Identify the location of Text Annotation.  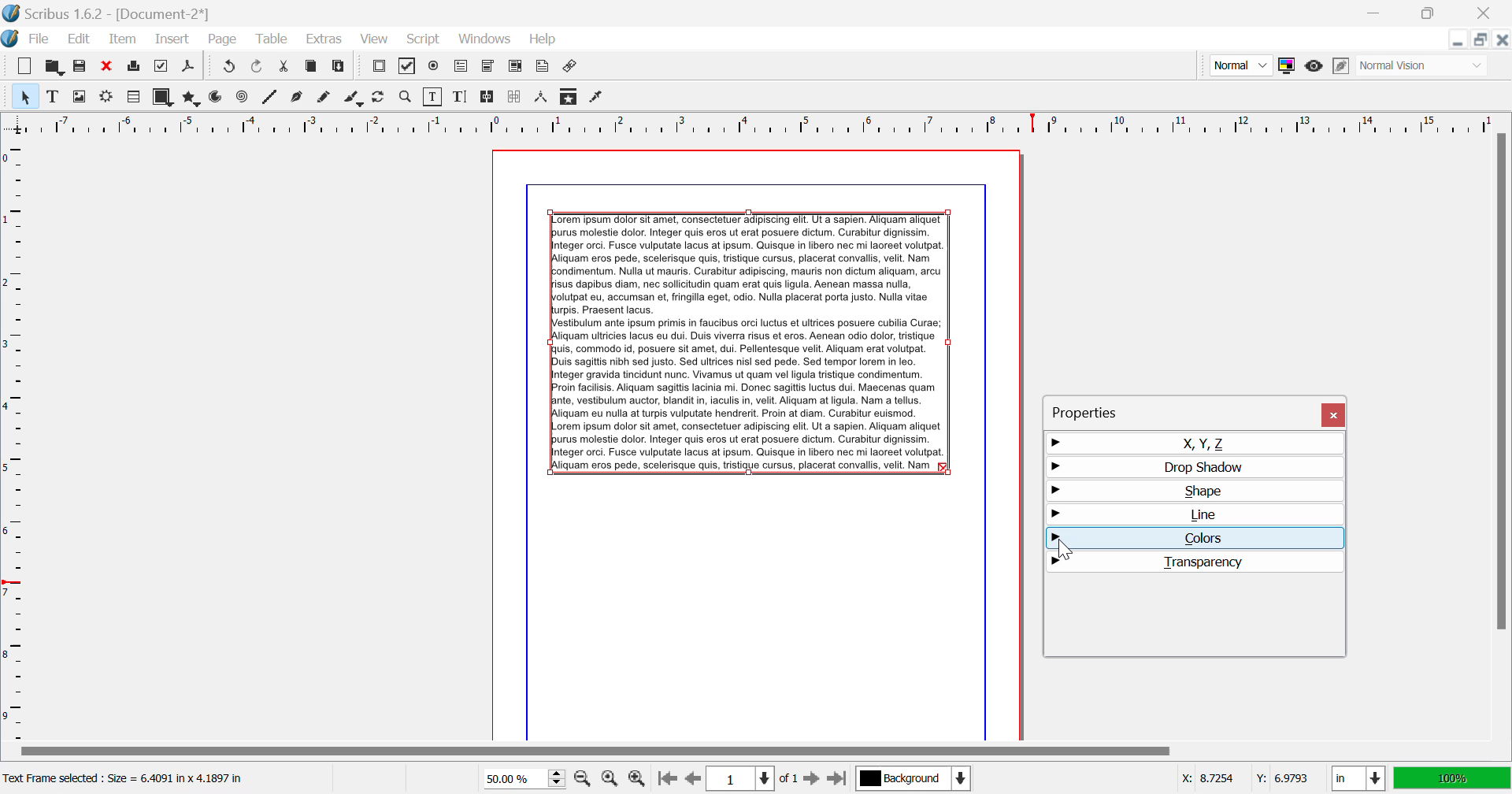
(542, 68).